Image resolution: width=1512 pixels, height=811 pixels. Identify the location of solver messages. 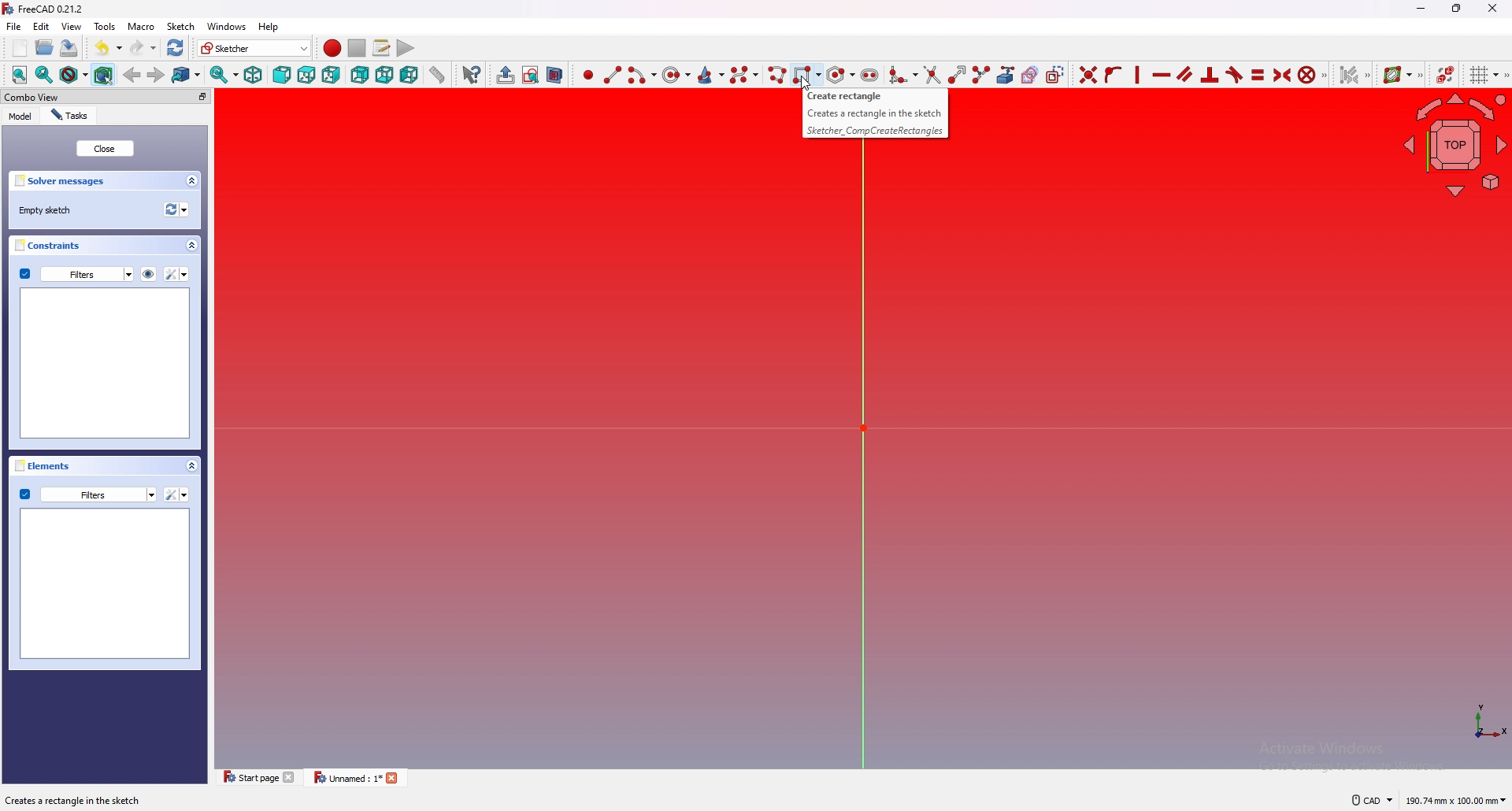
(61, 181).